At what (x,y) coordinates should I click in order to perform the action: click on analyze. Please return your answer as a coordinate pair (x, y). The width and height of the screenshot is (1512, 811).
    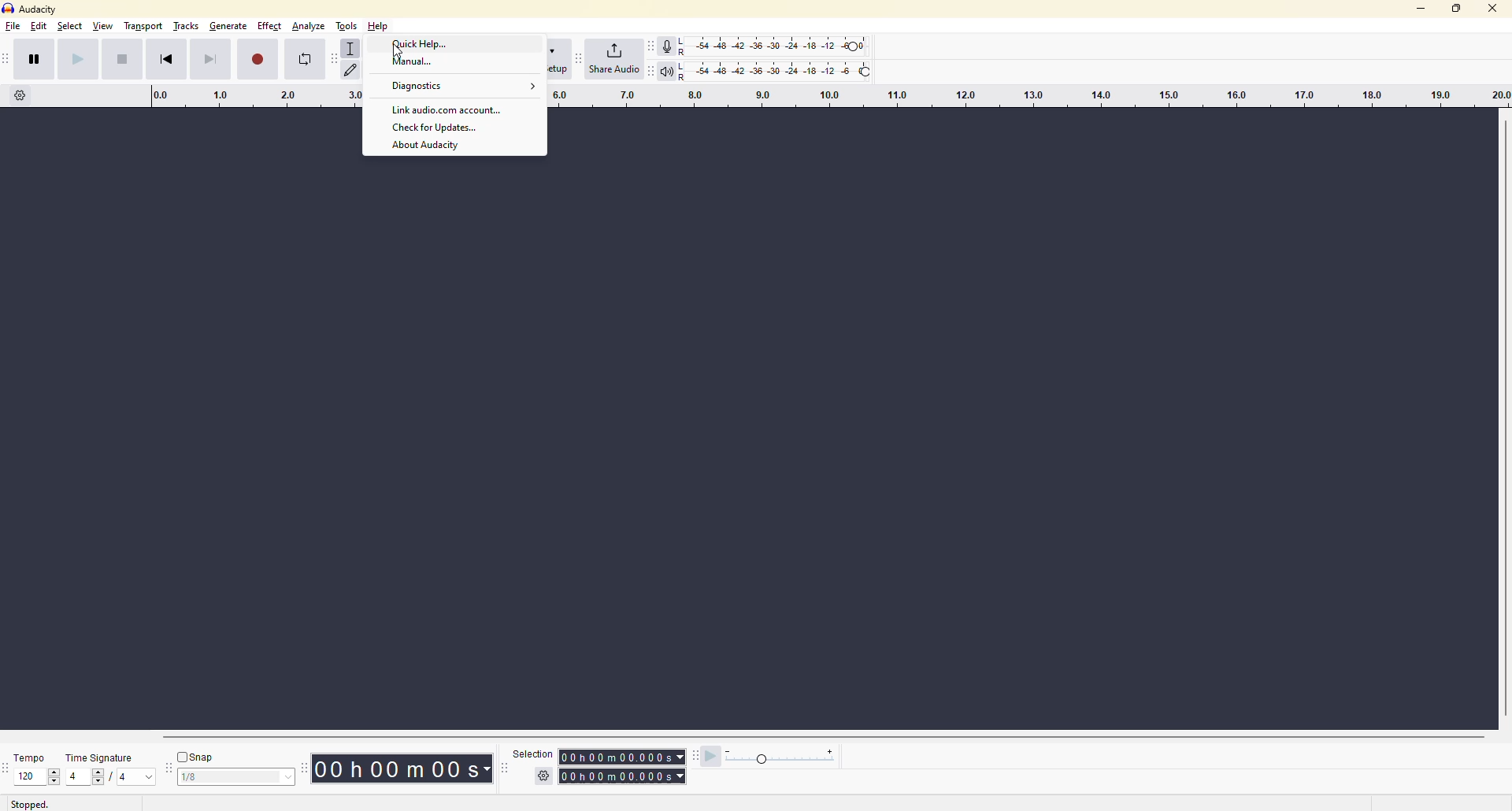
    Looking at the image, I should click on (308, 28).